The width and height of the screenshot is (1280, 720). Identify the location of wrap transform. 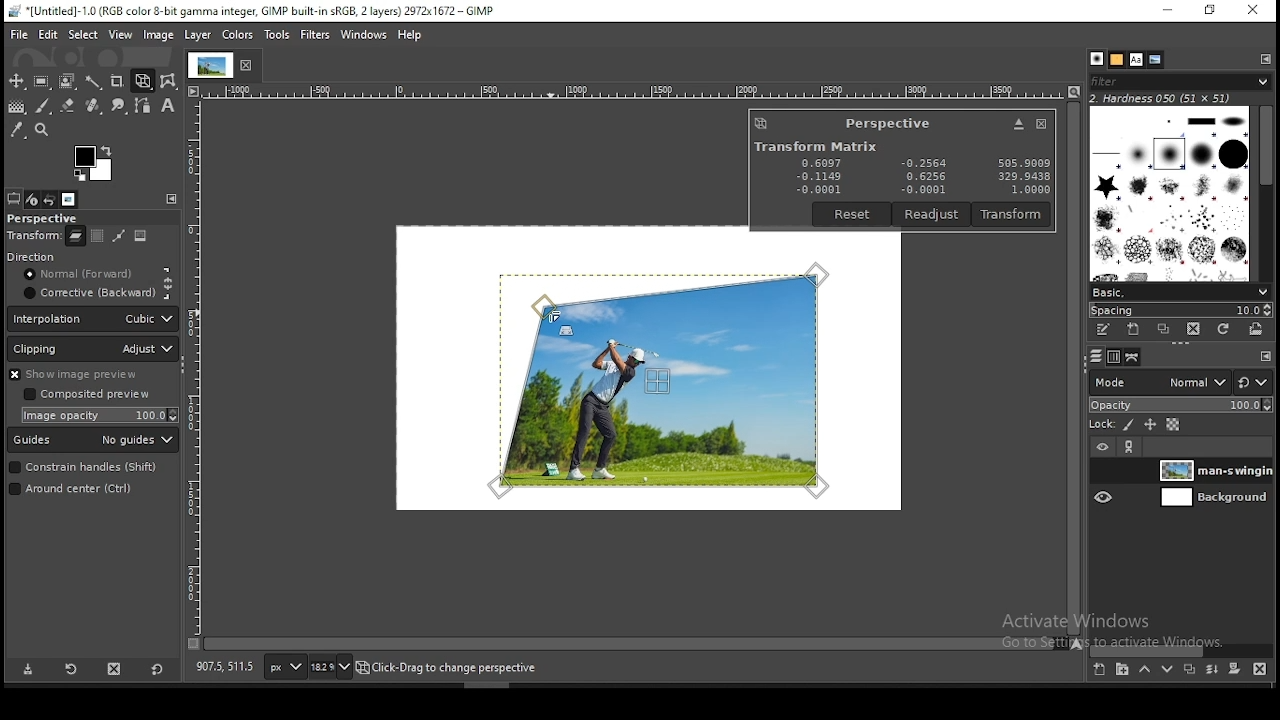
(170, 80).